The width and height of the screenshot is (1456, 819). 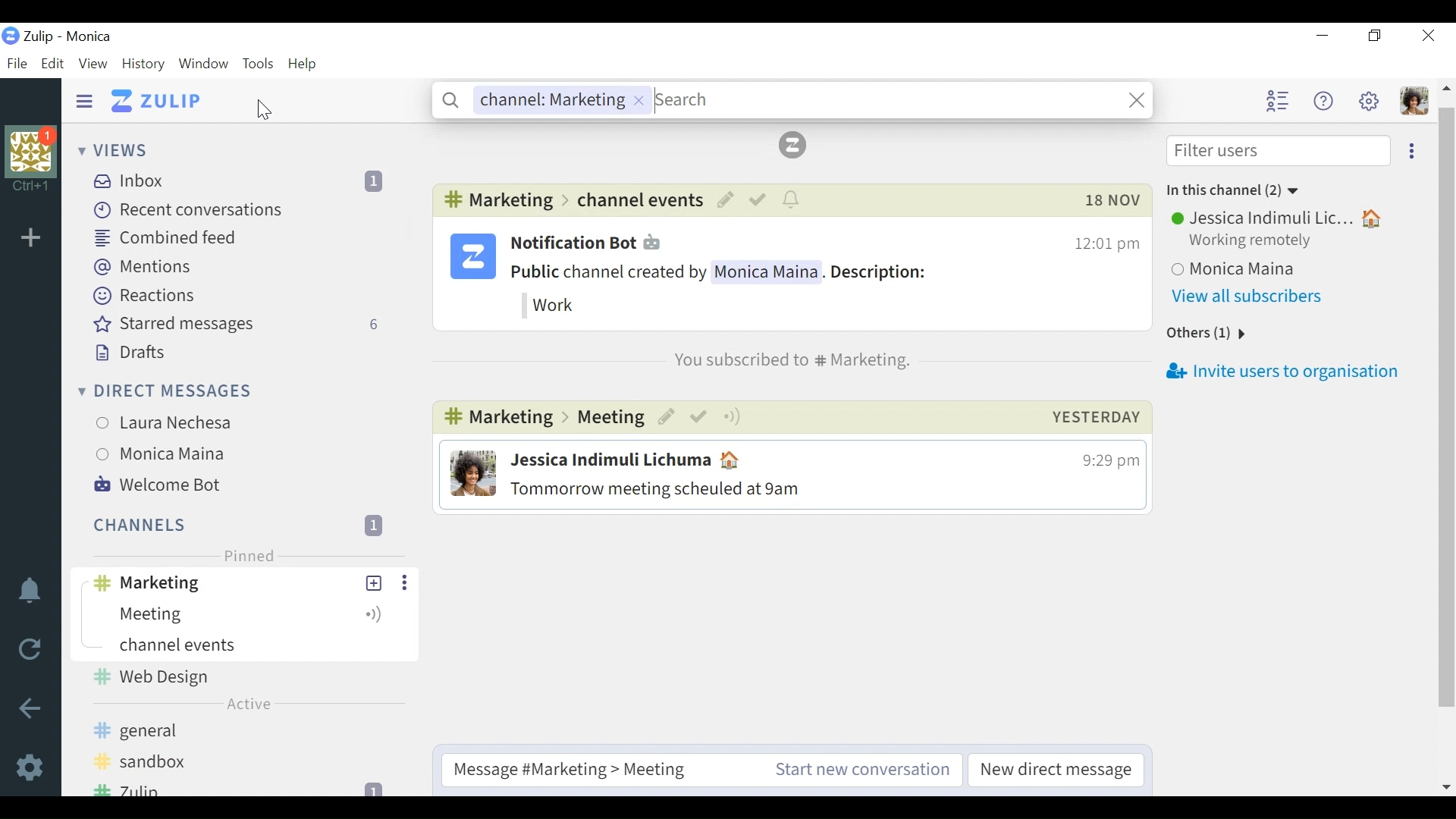 I want to click on Browse more channel, so click(x=193, y=764).